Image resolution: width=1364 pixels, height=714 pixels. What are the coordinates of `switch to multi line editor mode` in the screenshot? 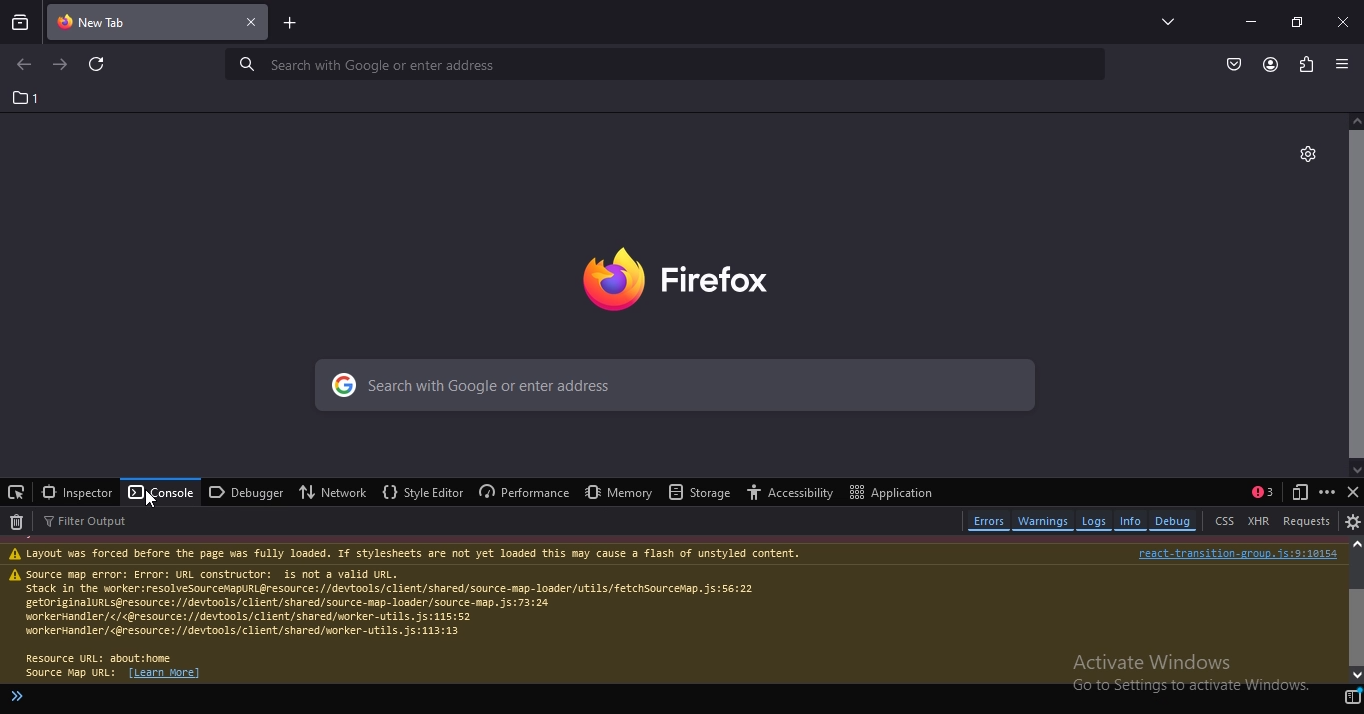 It's located at (1352, 700).